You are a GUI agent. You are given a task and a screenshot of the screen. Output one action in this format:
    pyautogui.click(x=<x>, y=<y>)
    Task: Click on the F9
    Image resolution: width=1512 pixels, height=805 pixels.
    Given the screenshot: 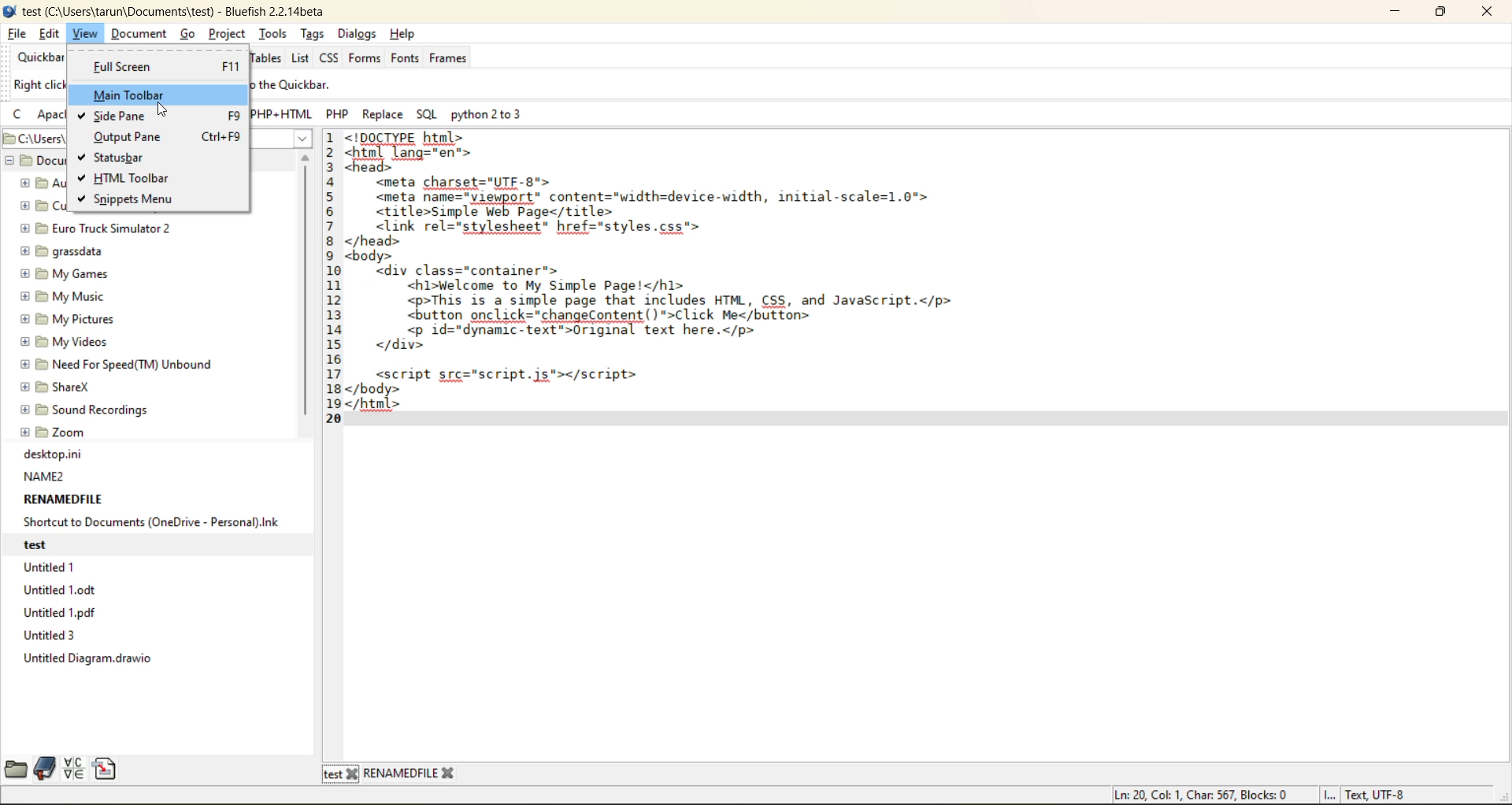 What is the action you would take?
    pyautogui.click(x=222, y=114)
    